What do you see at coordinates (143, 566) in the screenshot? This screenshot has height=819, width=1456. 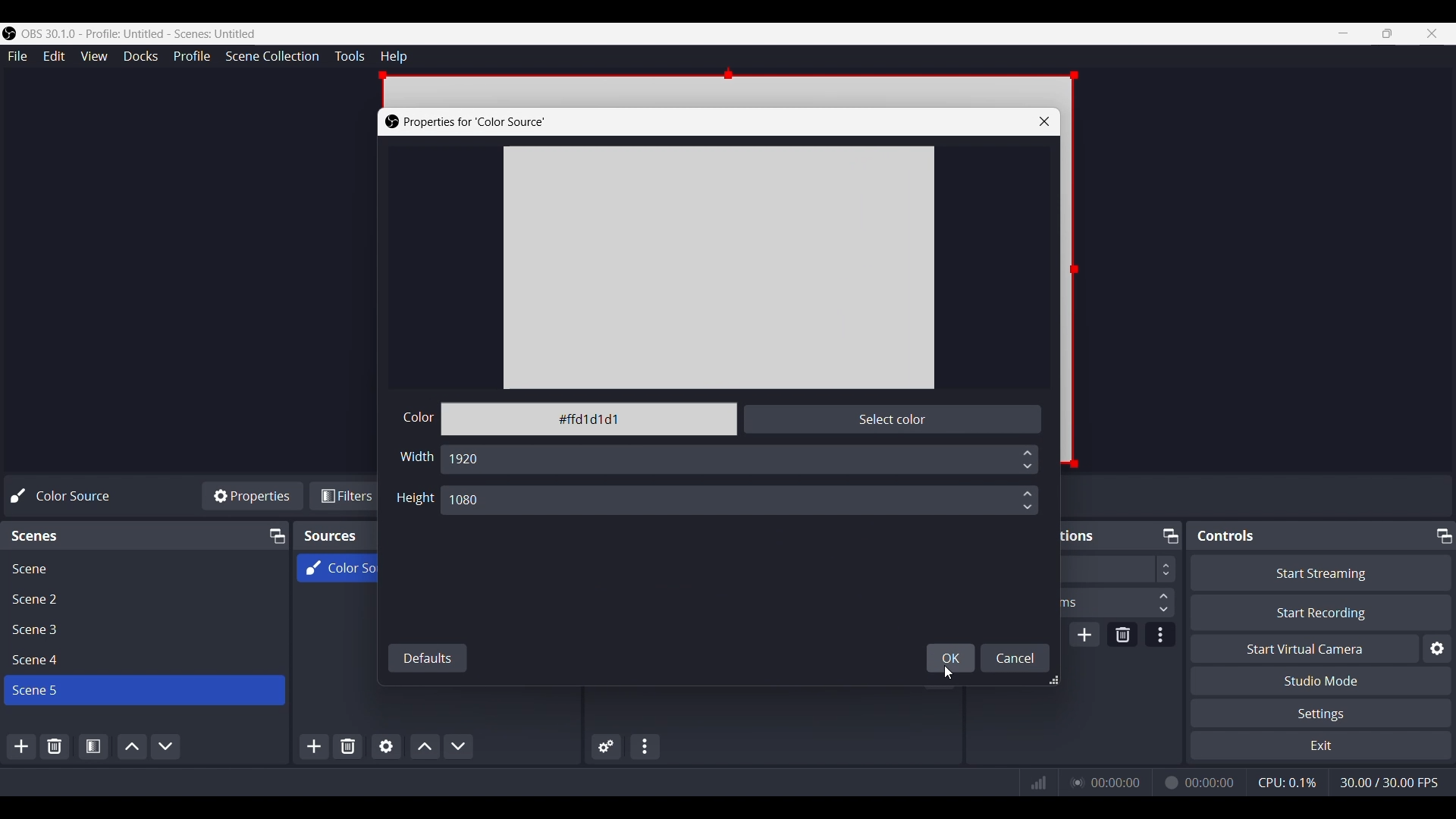 I see `Scene File` at bounding box center [143, 566].